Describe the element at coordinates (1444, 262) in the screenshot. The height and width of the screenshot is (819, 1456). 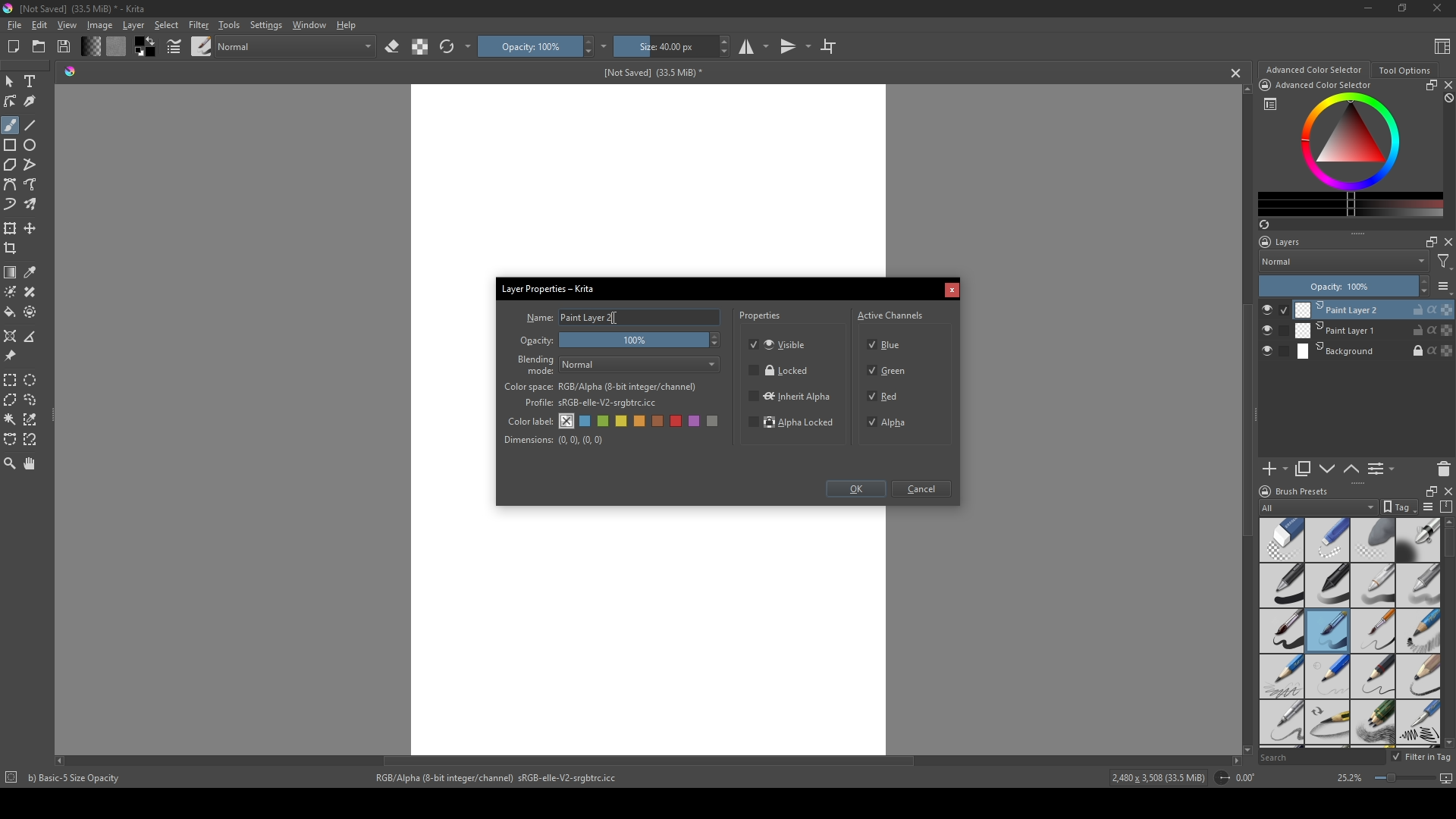
I see `filter` at that location.